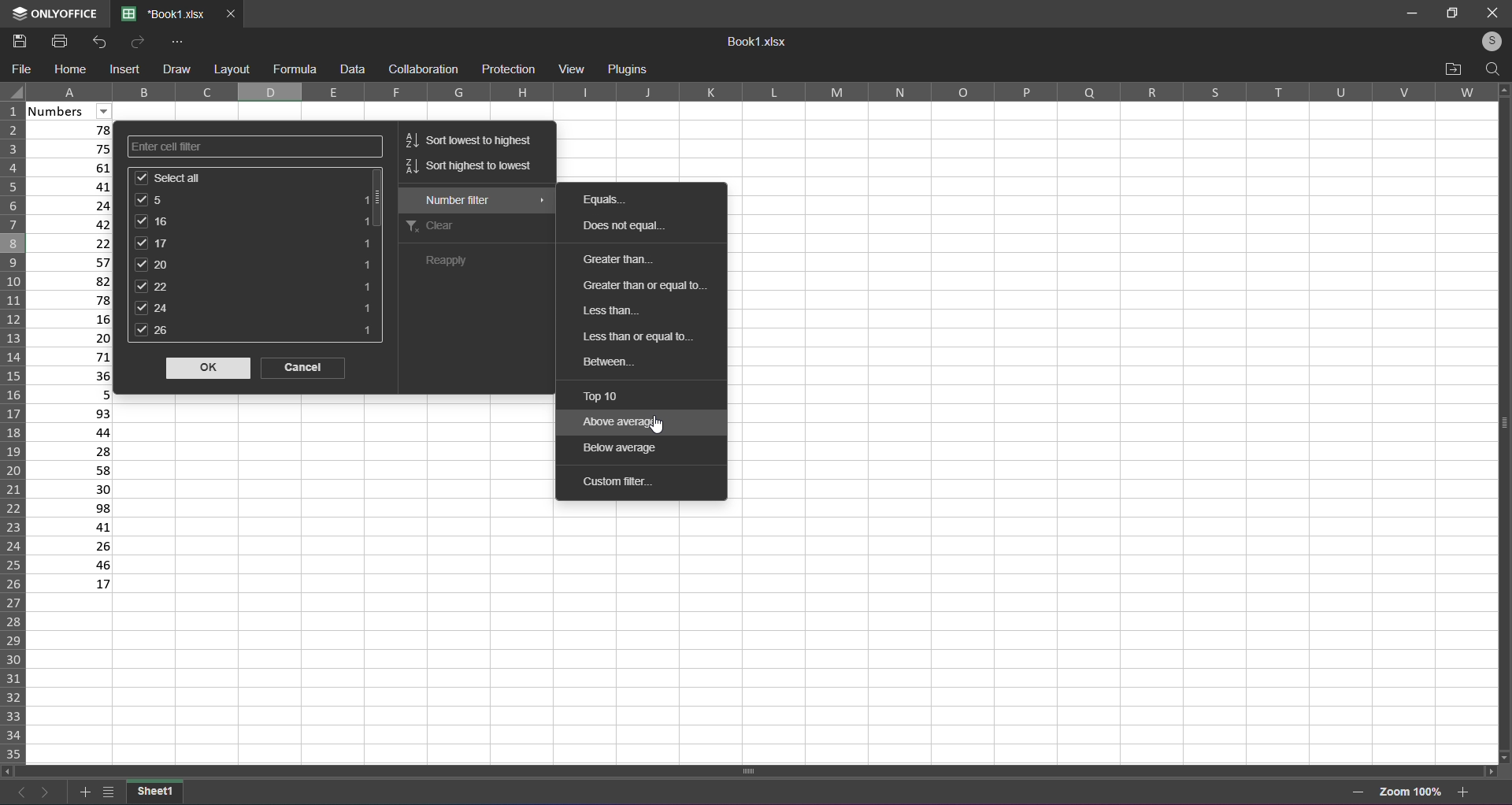  Describe the element at coordinates (72, 130) in the screenshot. I see `78` at that location.